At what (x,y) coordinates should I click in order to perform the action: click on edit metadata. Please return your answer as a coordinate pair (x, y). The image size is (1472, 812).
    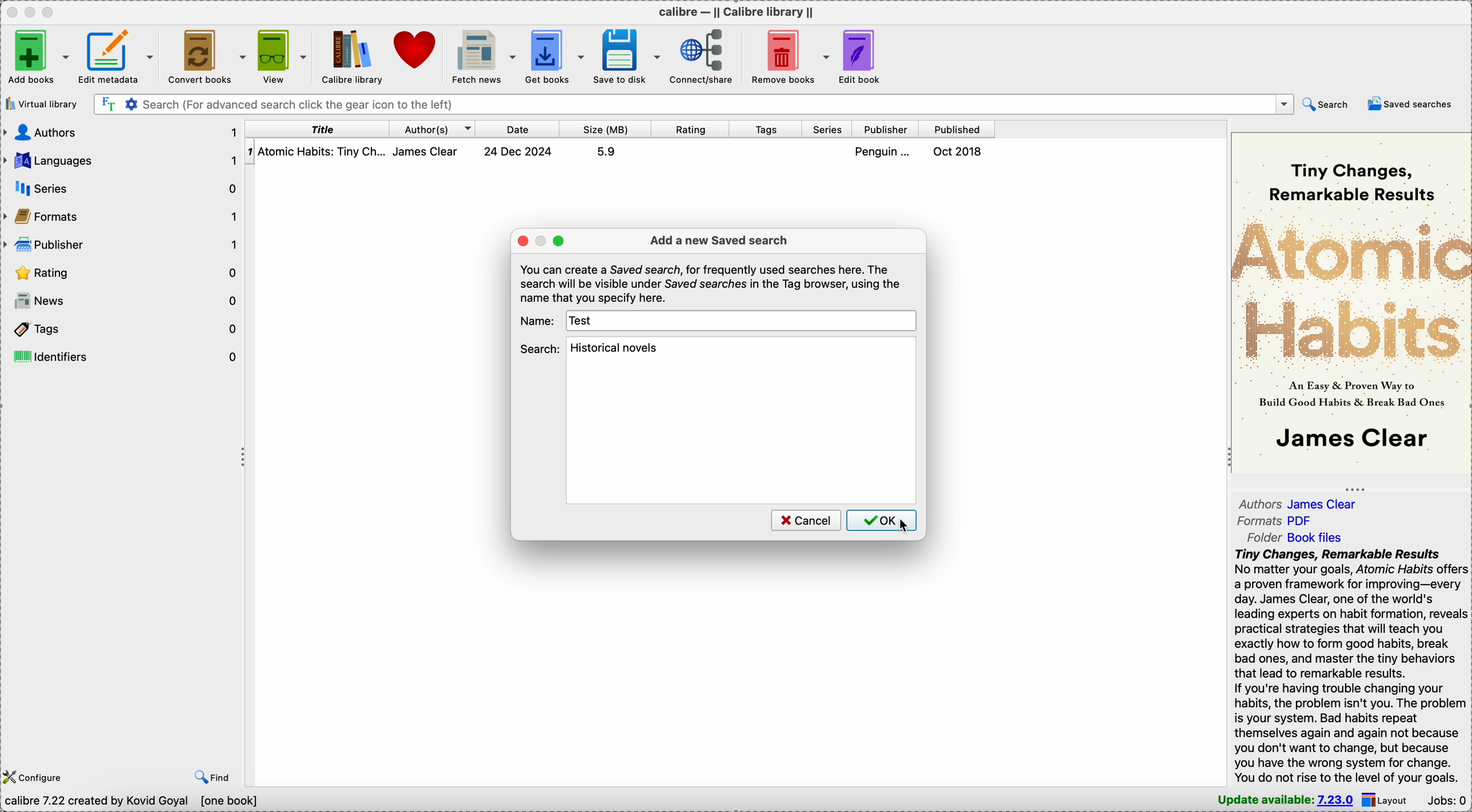
    Looking at the image, I should click on (118, 54).